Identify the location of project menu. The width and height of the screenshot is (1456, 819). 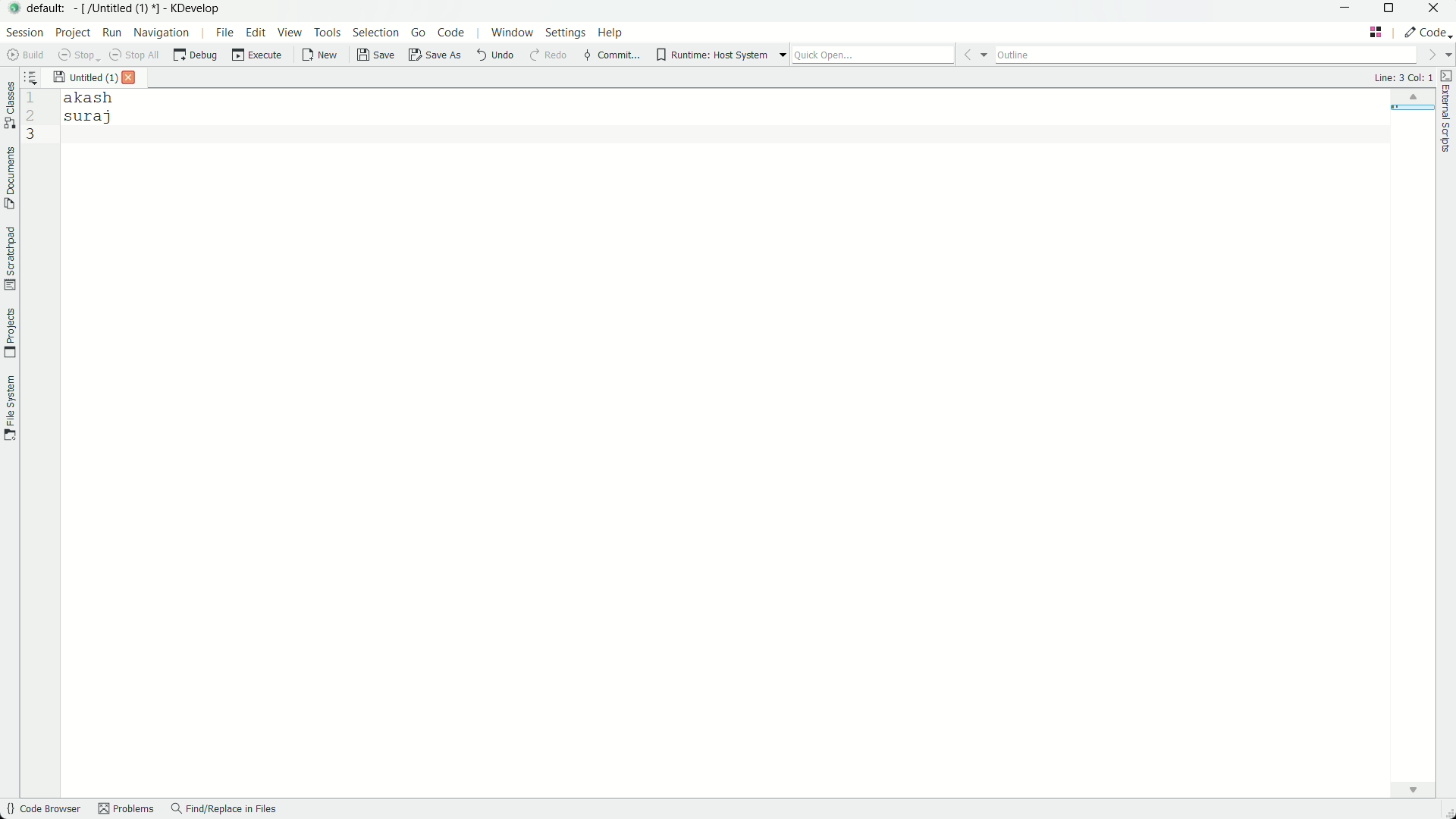
(74, 32).